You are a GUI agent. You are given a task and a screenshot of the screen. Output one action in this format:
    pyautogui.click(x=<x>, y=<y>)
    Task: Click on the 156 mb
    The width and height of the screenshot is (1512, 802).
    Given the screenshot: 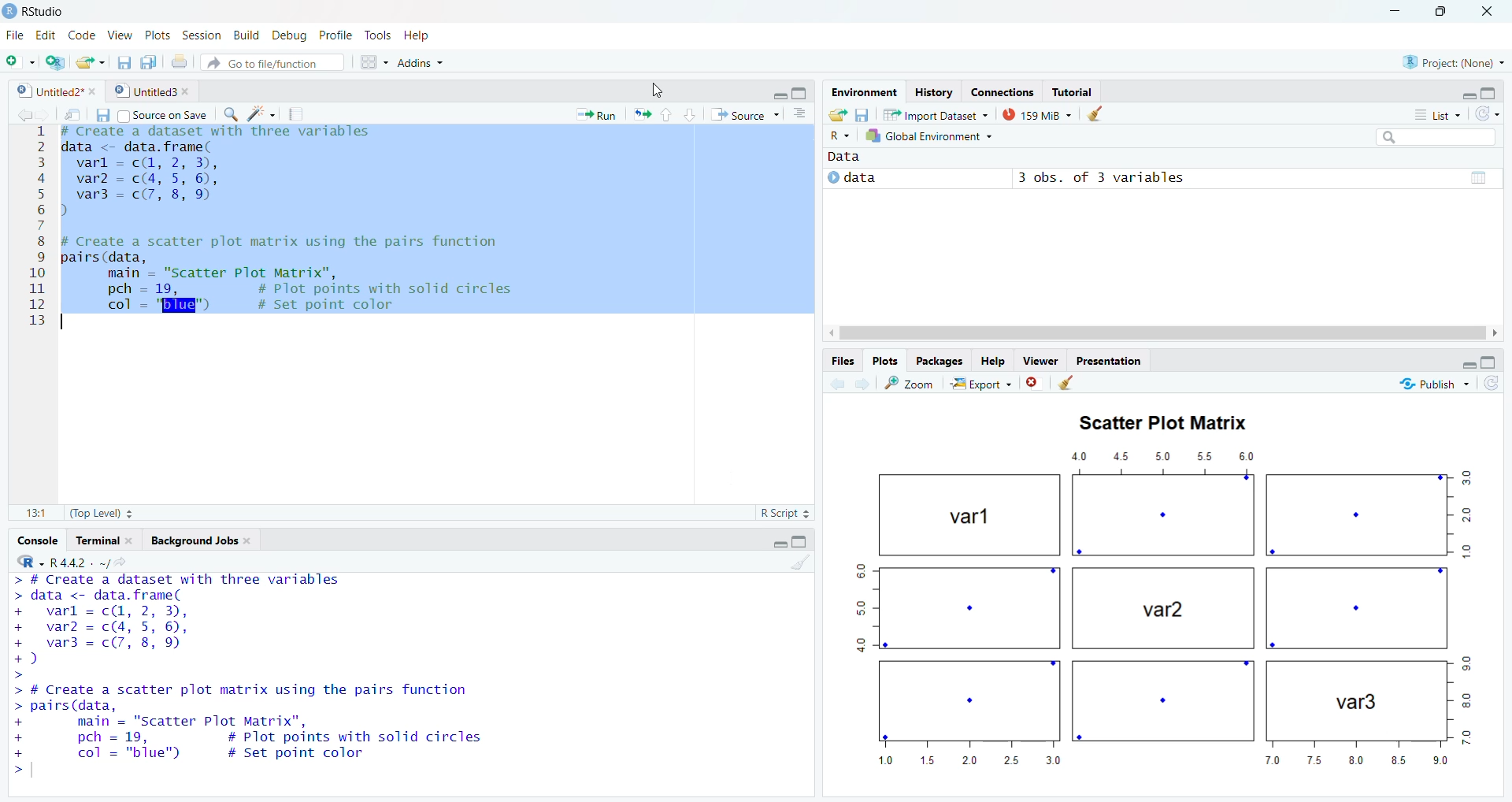 What is the action you would take?
    pyautogui.click(x=1038, y=114)
    